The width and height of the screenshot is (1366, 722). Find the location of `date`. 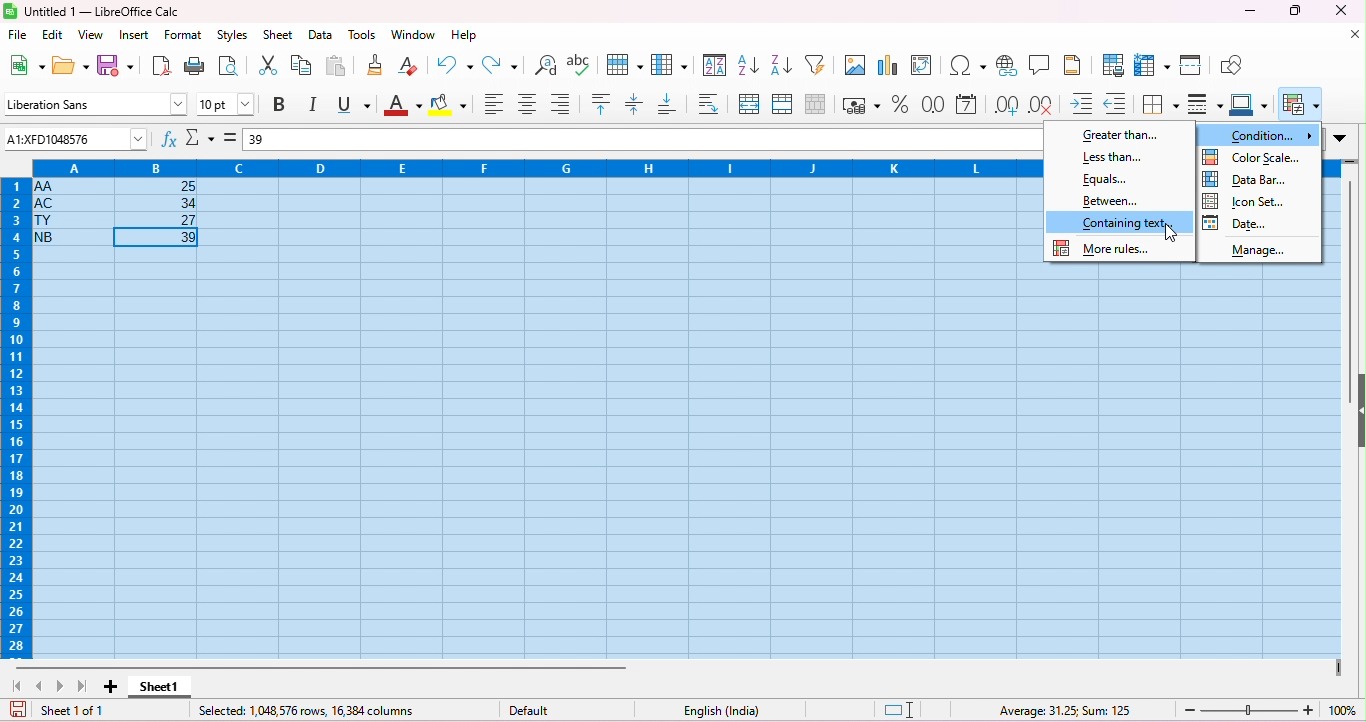

date is located at coordinates (1246, 224).